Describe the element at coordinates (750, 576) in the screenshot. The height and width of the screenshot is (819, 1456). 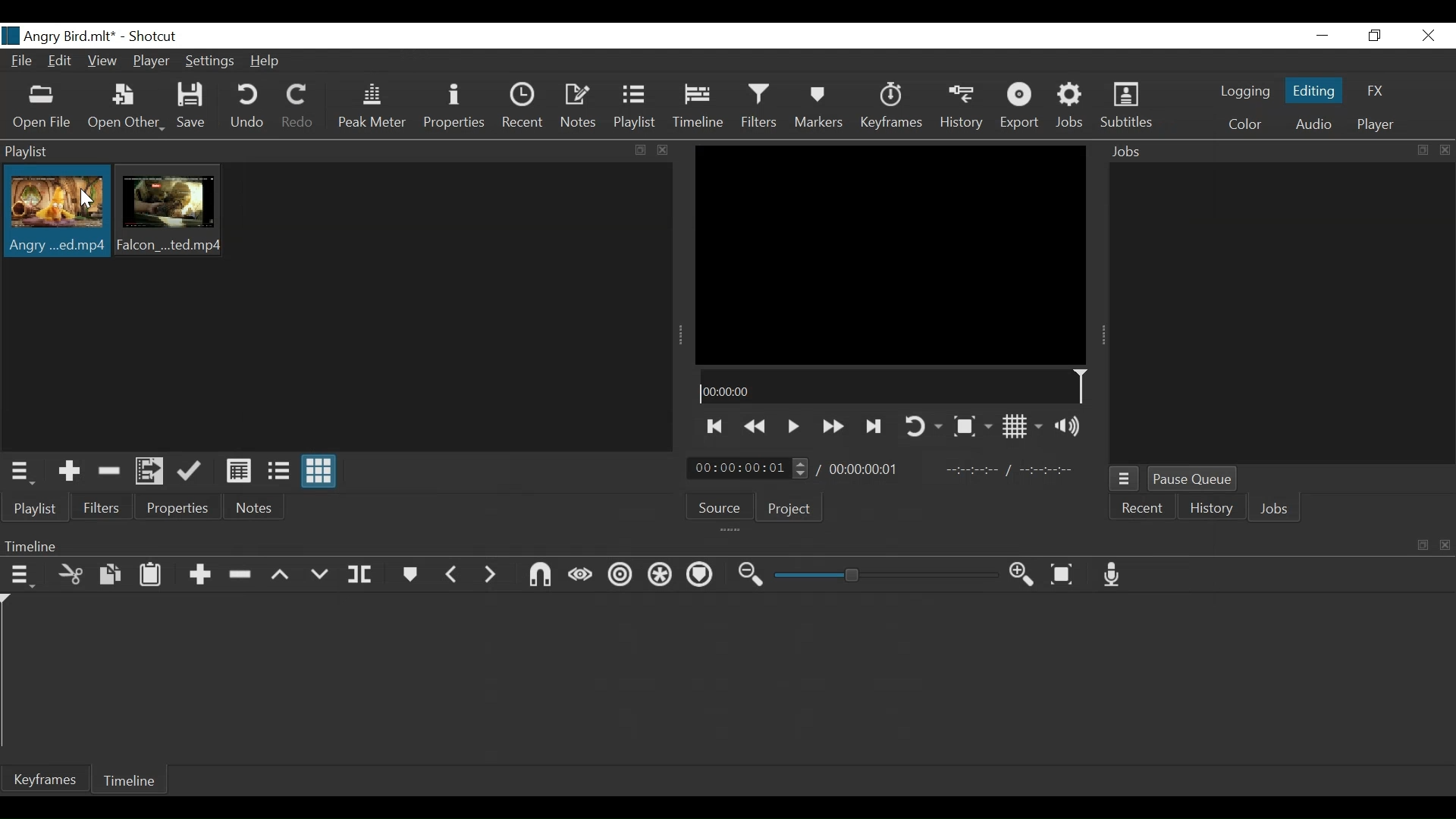
I see `Zoom timeline out` at that location.